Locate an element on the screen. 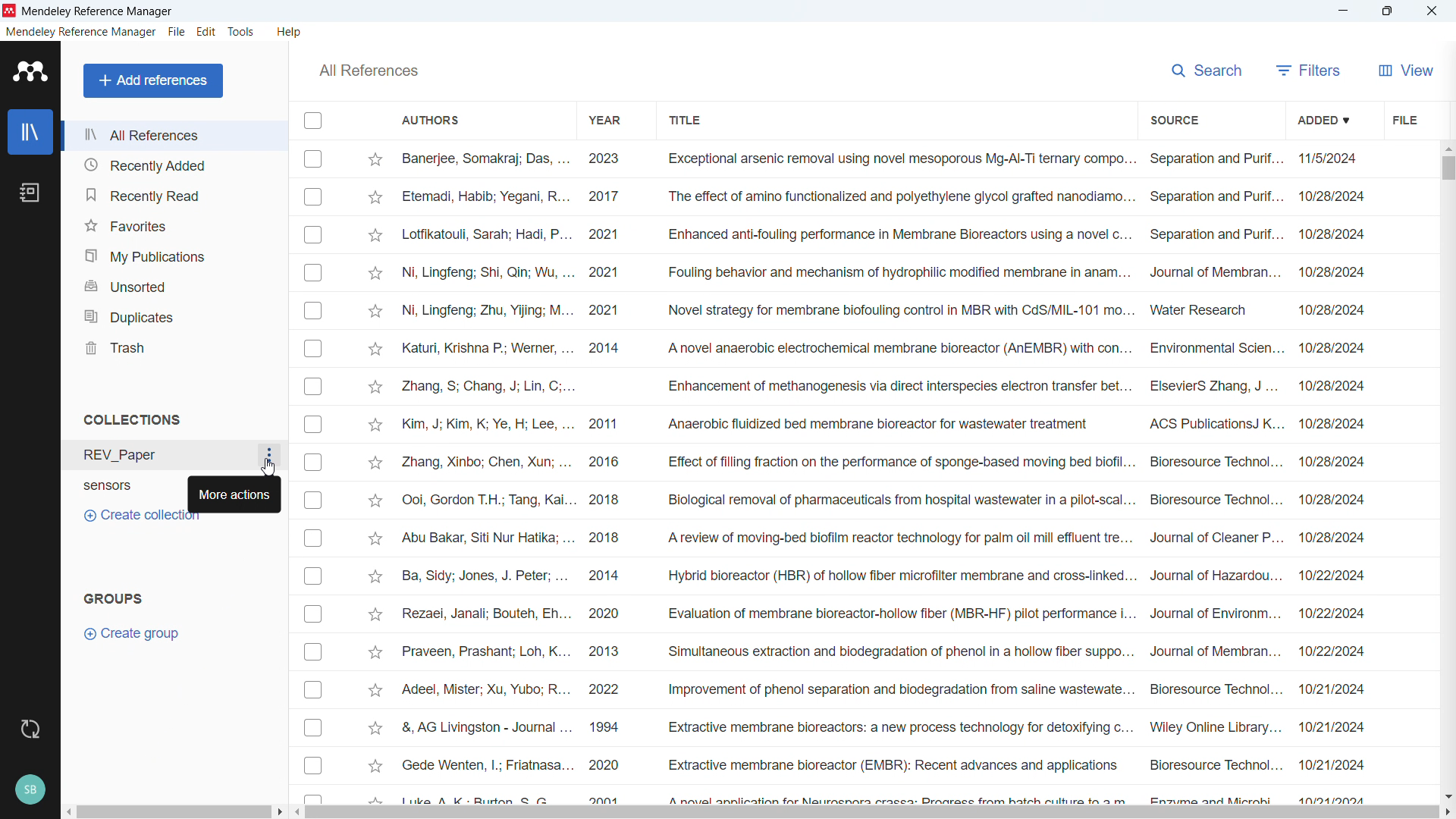  Create collection is located at coordinates (141, 516).